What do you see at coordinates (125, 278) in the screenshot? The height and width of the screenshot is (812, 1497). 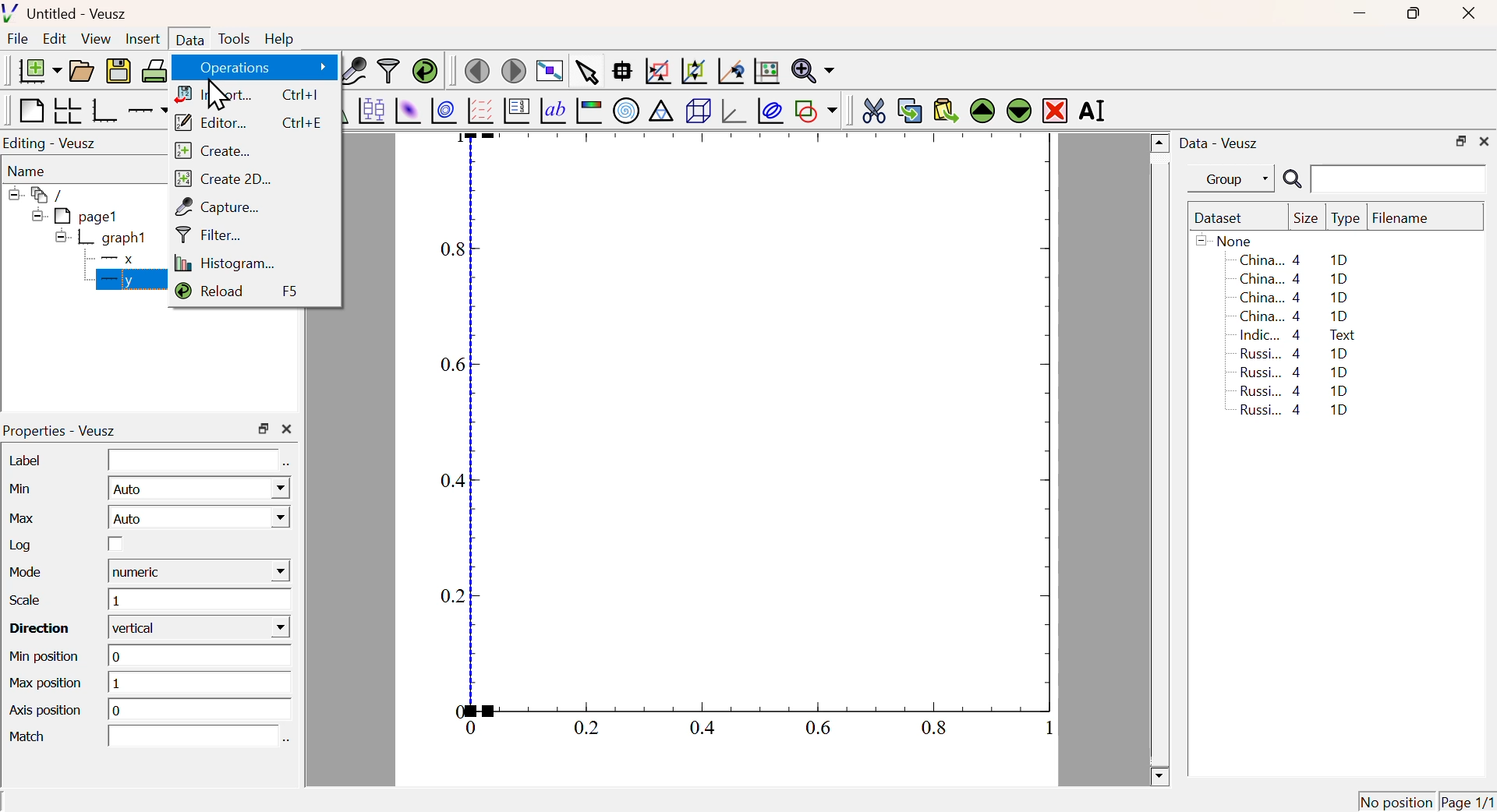 I see `y axis` at bounding box center [125, 278].